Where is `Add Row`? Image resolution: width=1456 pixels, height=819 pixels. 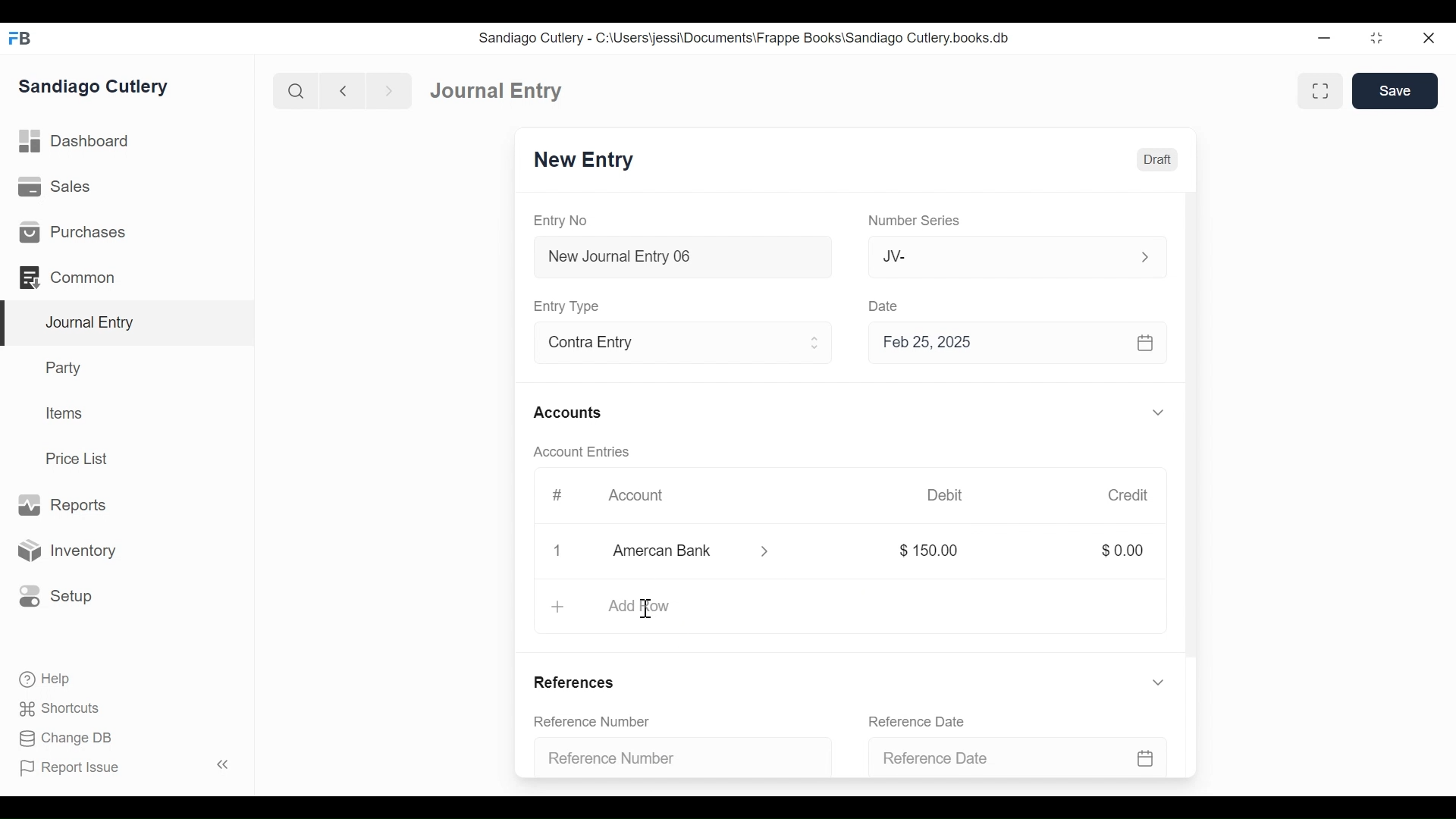 Add Row is located at coordinates (639, 605).